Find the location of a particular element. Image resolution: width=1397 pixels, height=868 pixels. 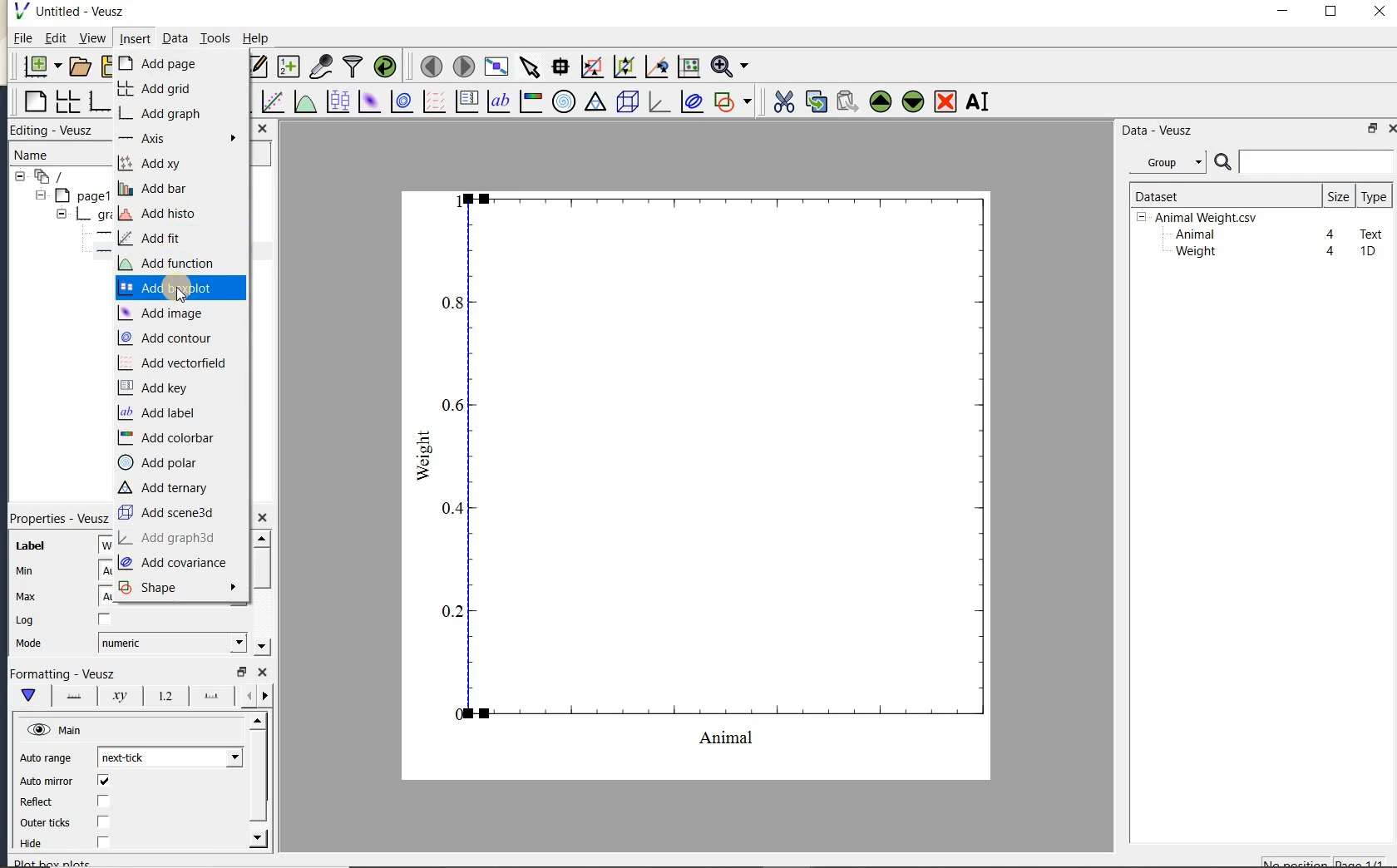

graph1 is located at coordinates (73, 216).